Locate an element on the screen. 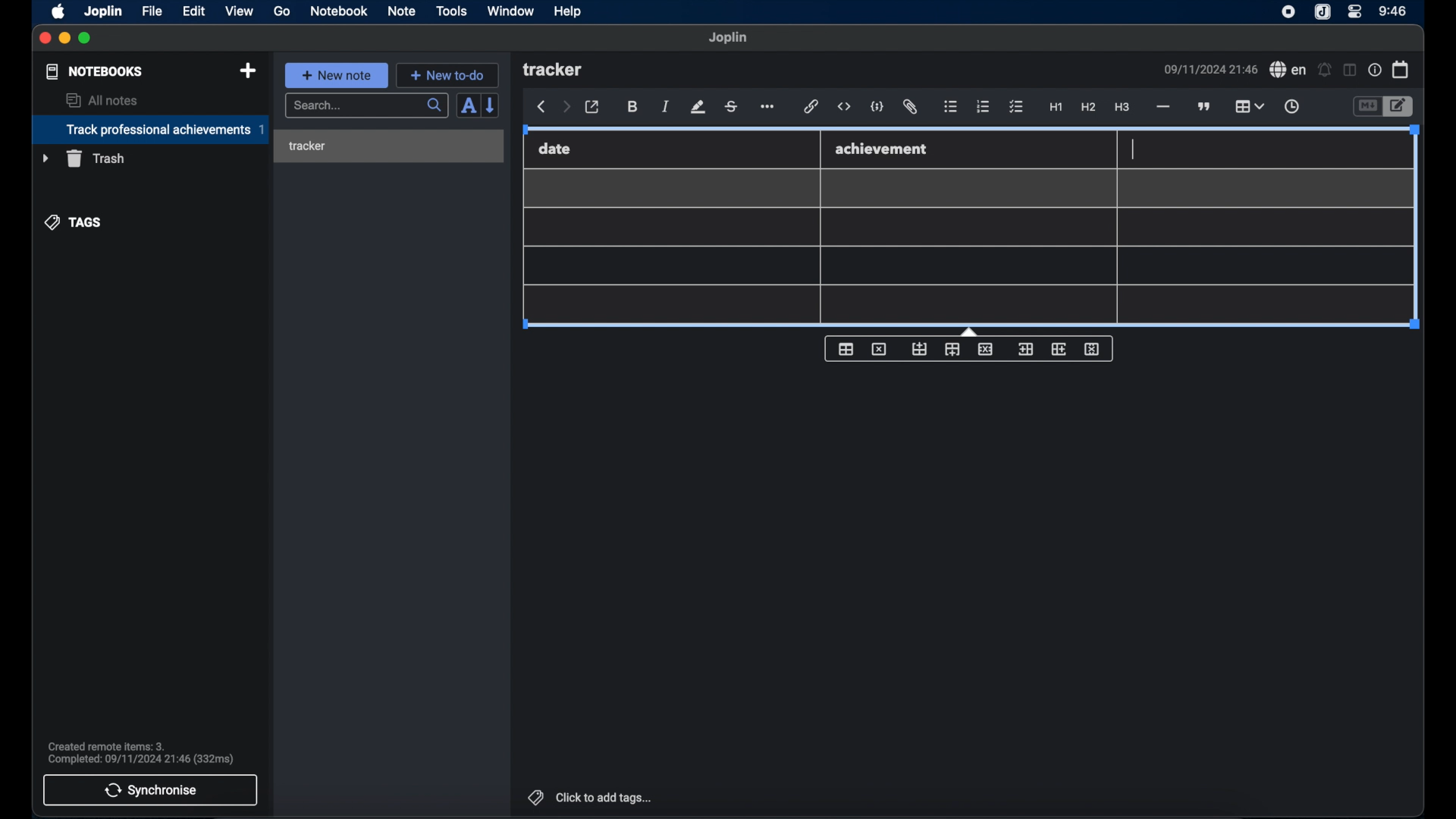 Image resolution: width=1456 pixels, height=819 pixels. view is located at coordinates (239, 11).